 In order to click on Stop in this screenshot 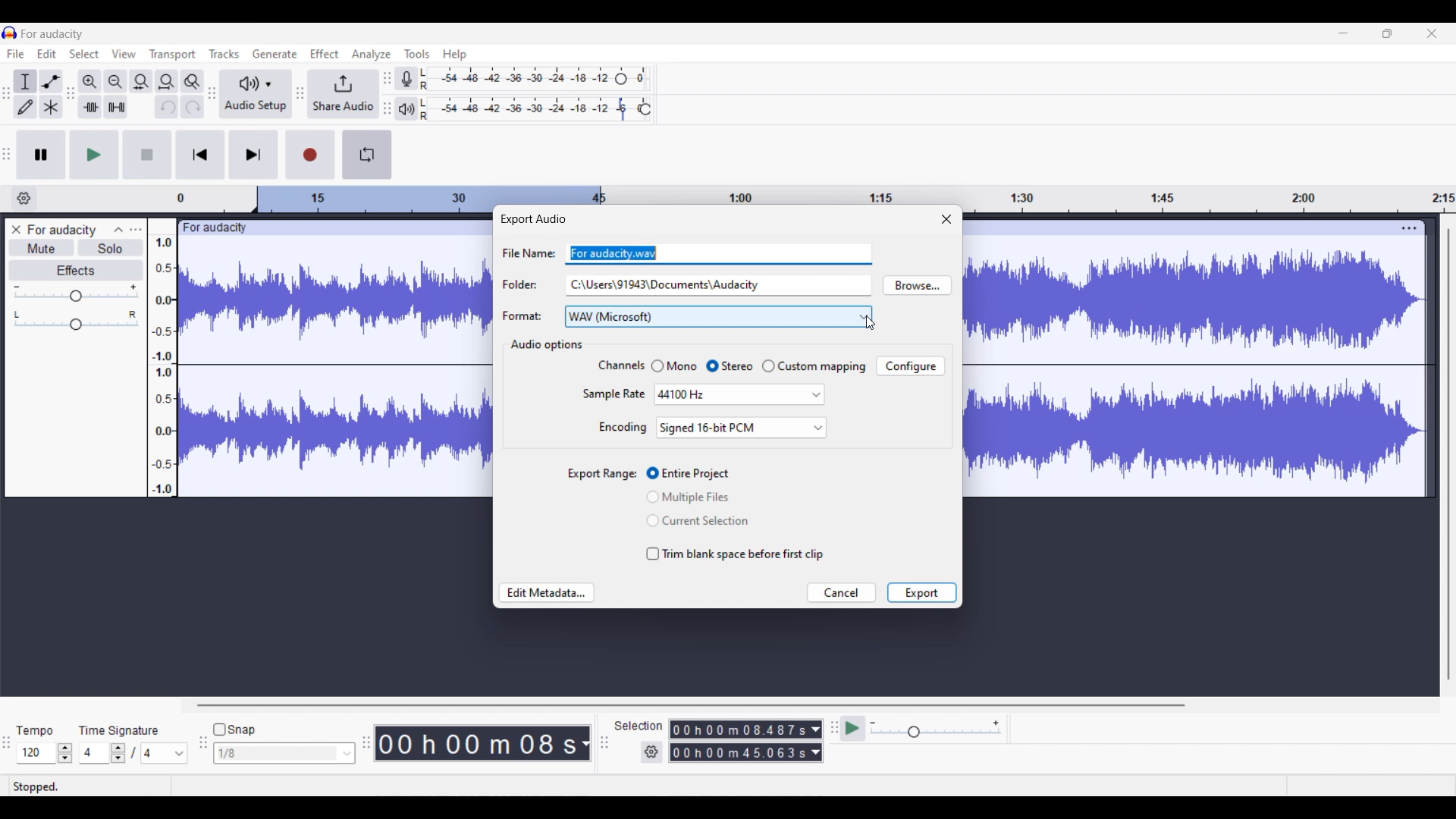, I will do `click(147, 154)`.